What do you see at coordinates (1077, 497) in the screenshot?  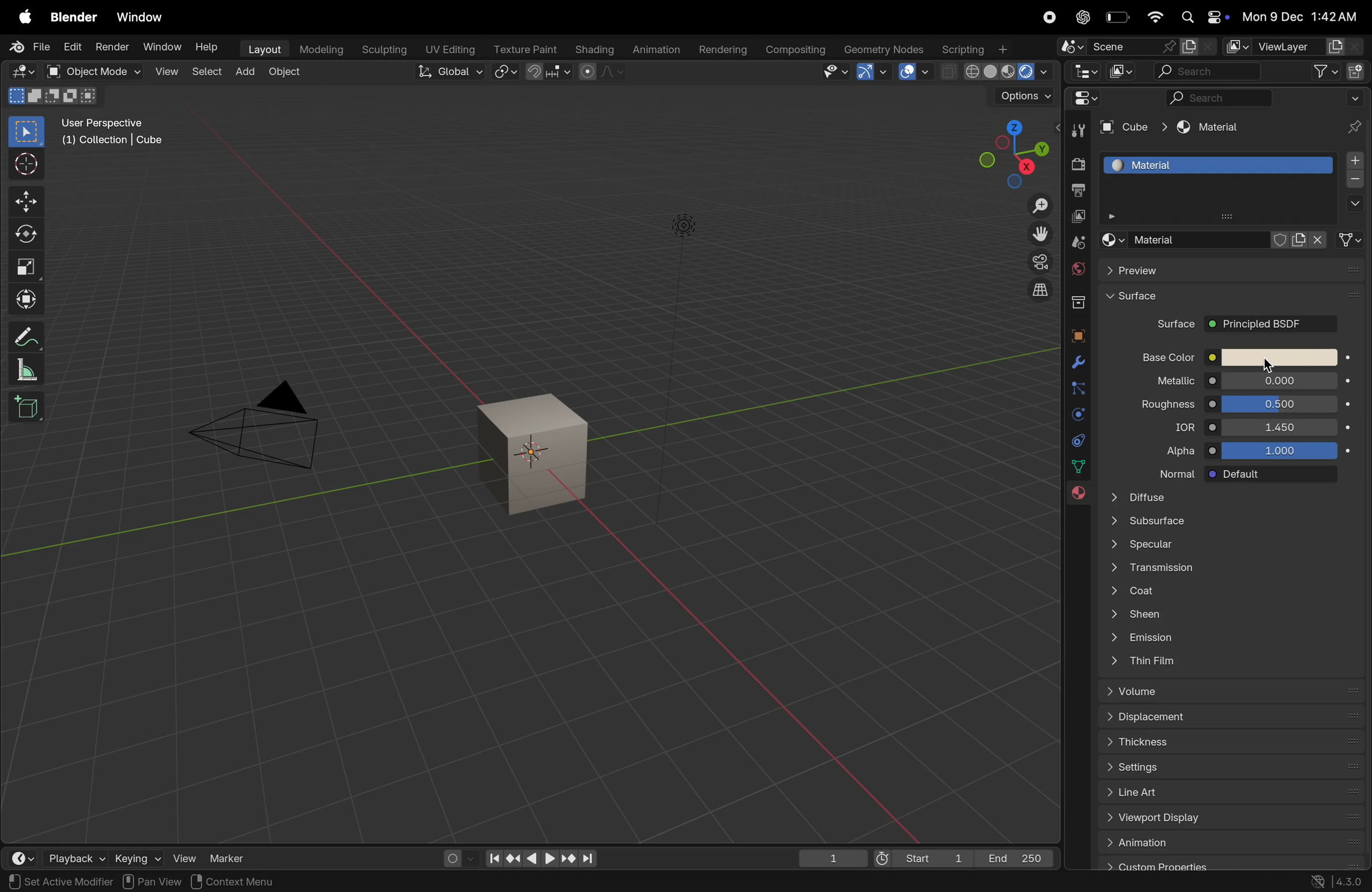 I see `material` at bounding box center [1077, 497].